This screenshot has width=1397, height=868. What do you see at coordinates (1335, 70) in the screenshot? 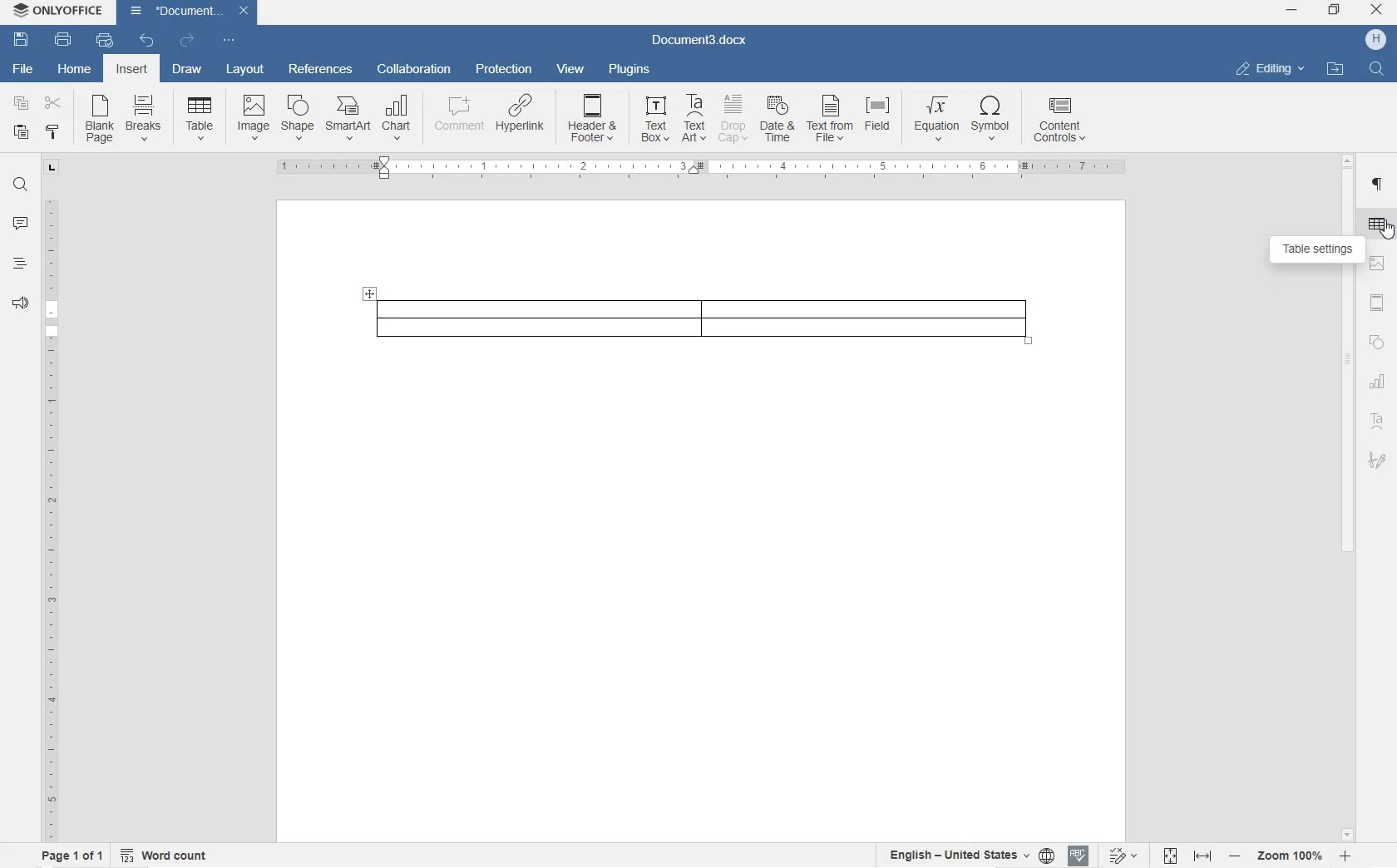
I see `open file location` at bounding box center [1335, 70].